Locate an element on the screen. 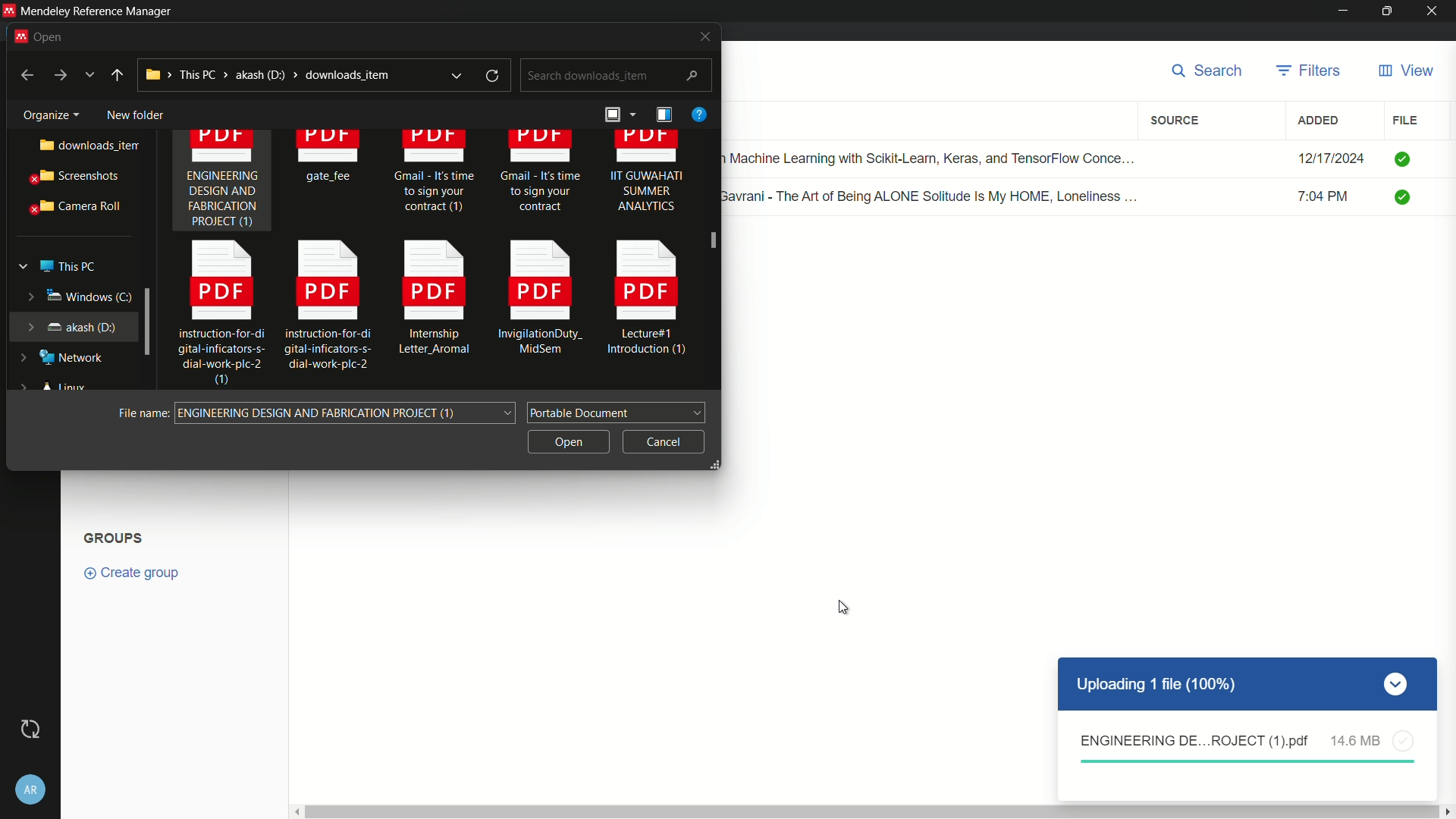  source is located at coordinates (1178, 121).